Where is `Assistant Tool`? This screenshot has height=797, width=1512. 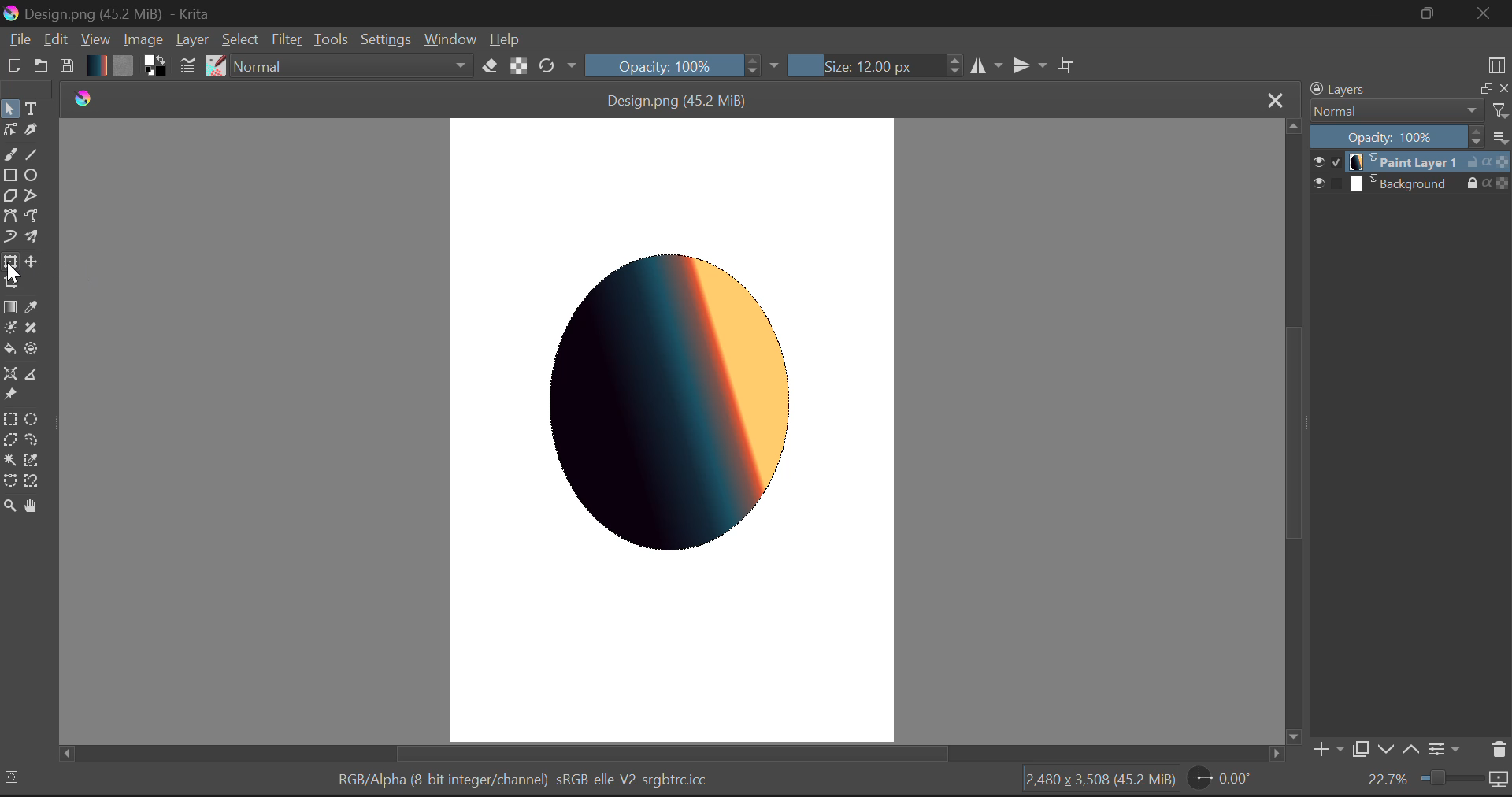
Assistant Tool is located at coordinates (10, 374).